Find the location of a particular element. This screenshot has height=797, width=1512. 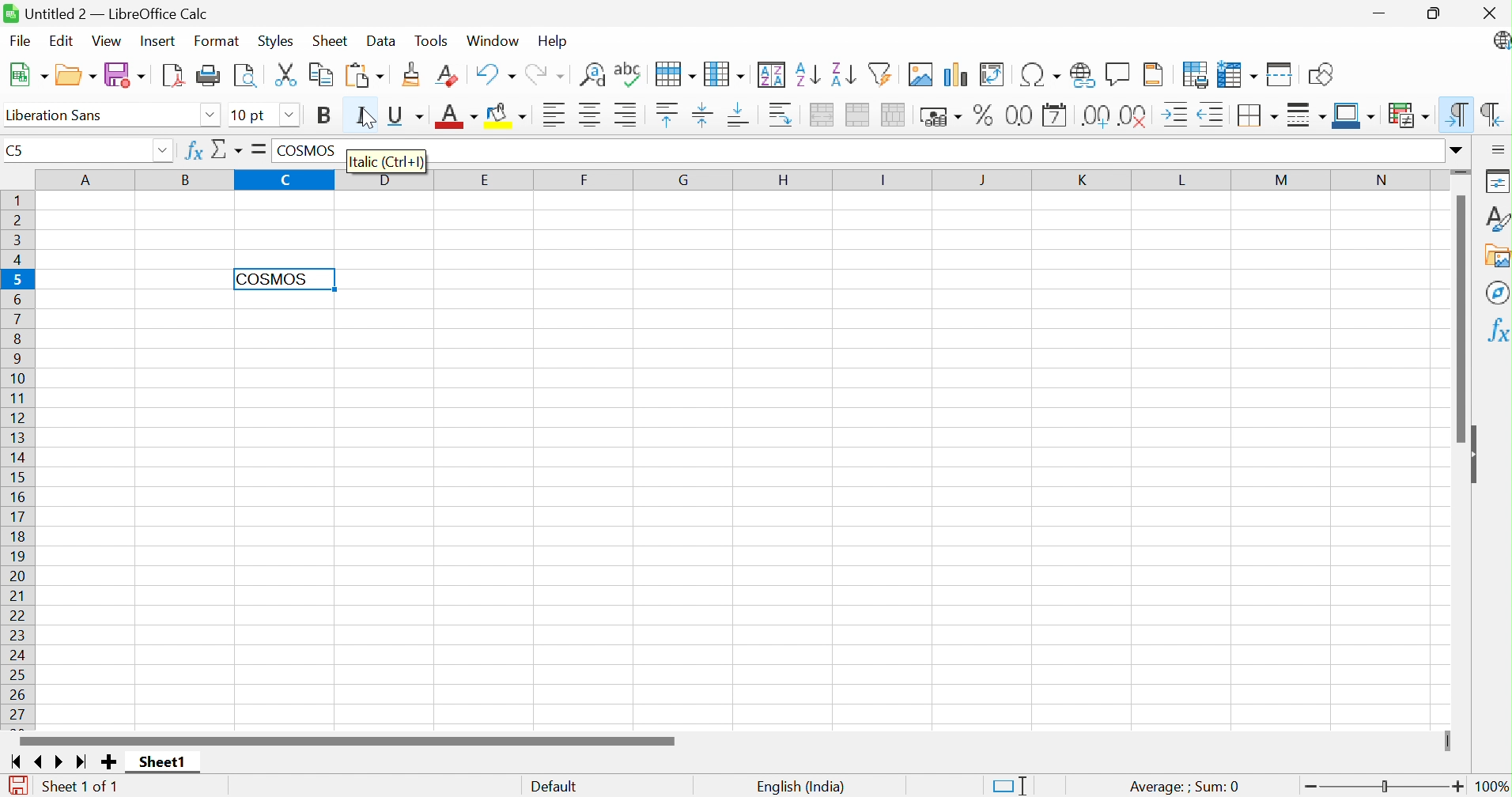

File is located at coordinates (19, 42).